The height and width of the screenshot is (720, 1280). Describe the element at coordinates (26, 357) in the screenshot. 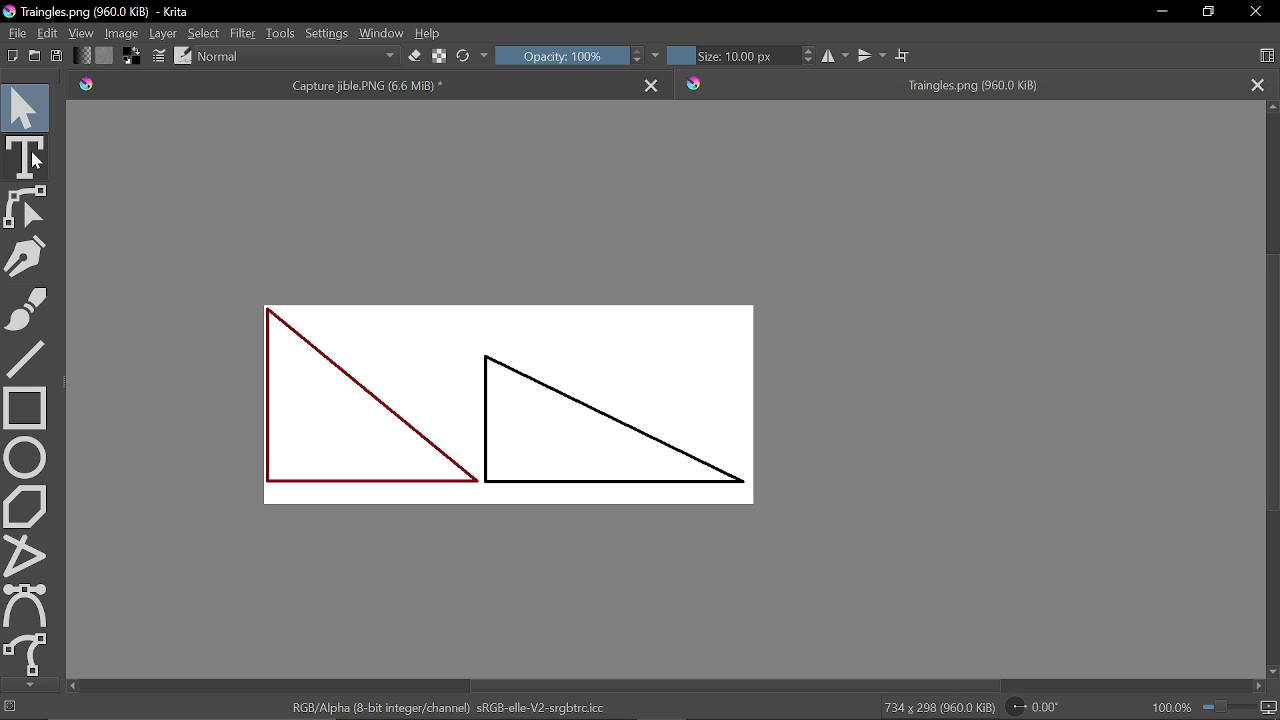

I see `Line tool` at that location.